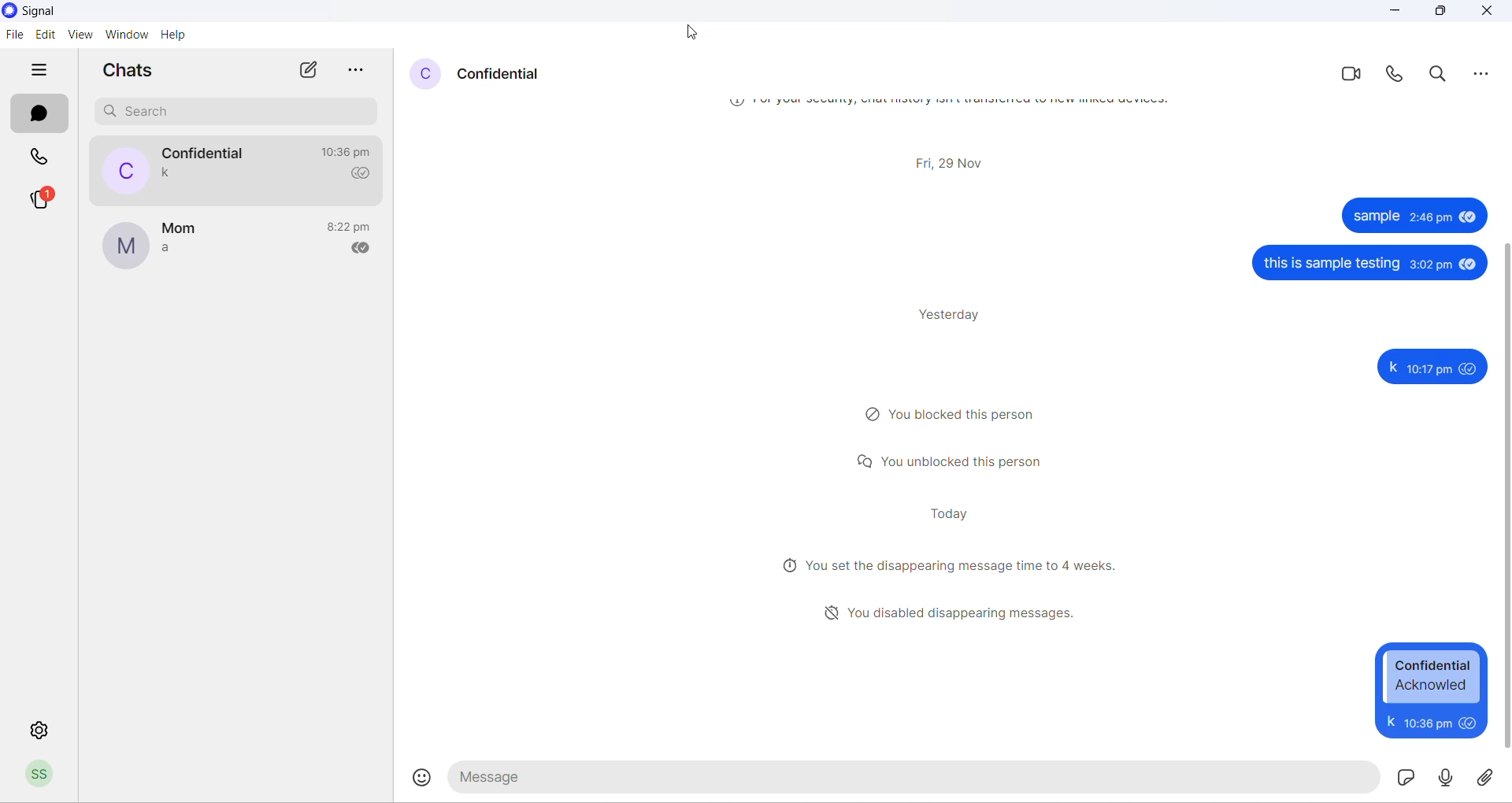 The height and width of the screenshot is (803, 1512). I want to click on disappearing message notification, so click(954, 612).